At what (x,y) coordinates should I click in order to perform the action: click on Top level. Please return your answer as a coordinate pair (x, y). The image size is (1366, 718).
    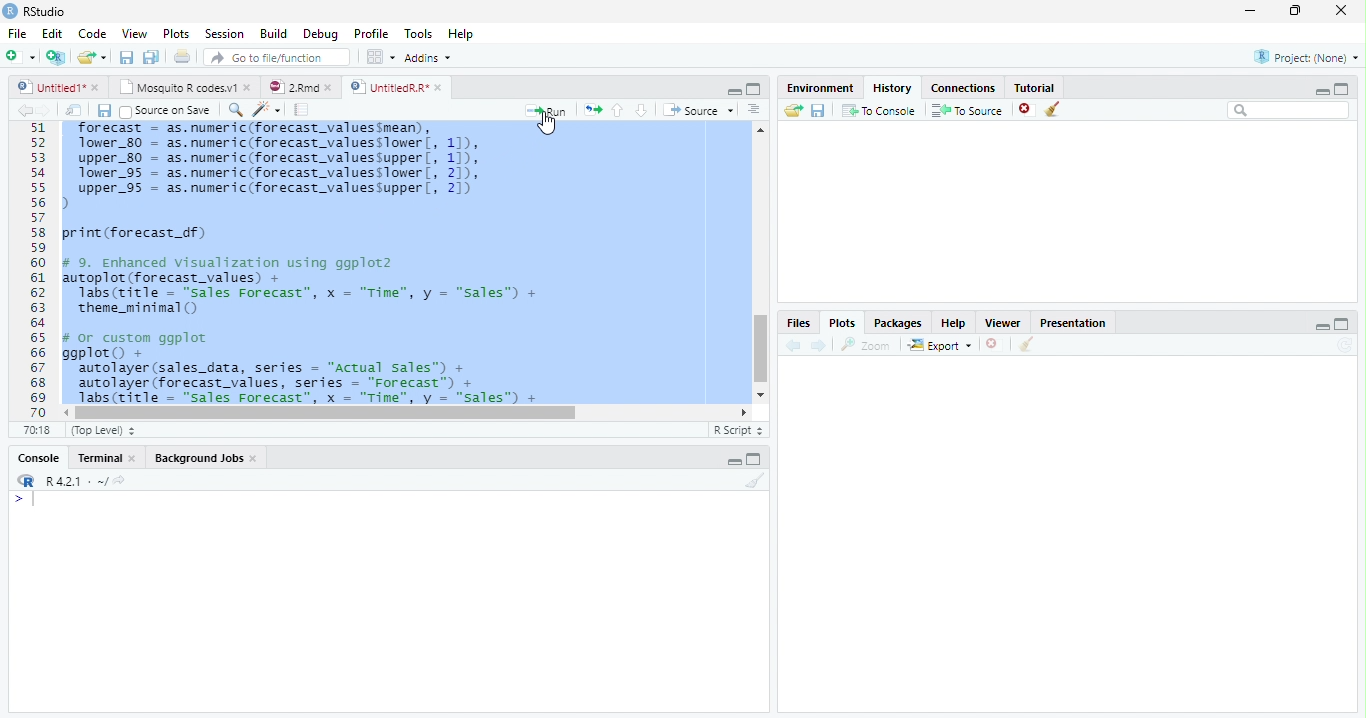
    Looking at the image, I should click on (102, 430).